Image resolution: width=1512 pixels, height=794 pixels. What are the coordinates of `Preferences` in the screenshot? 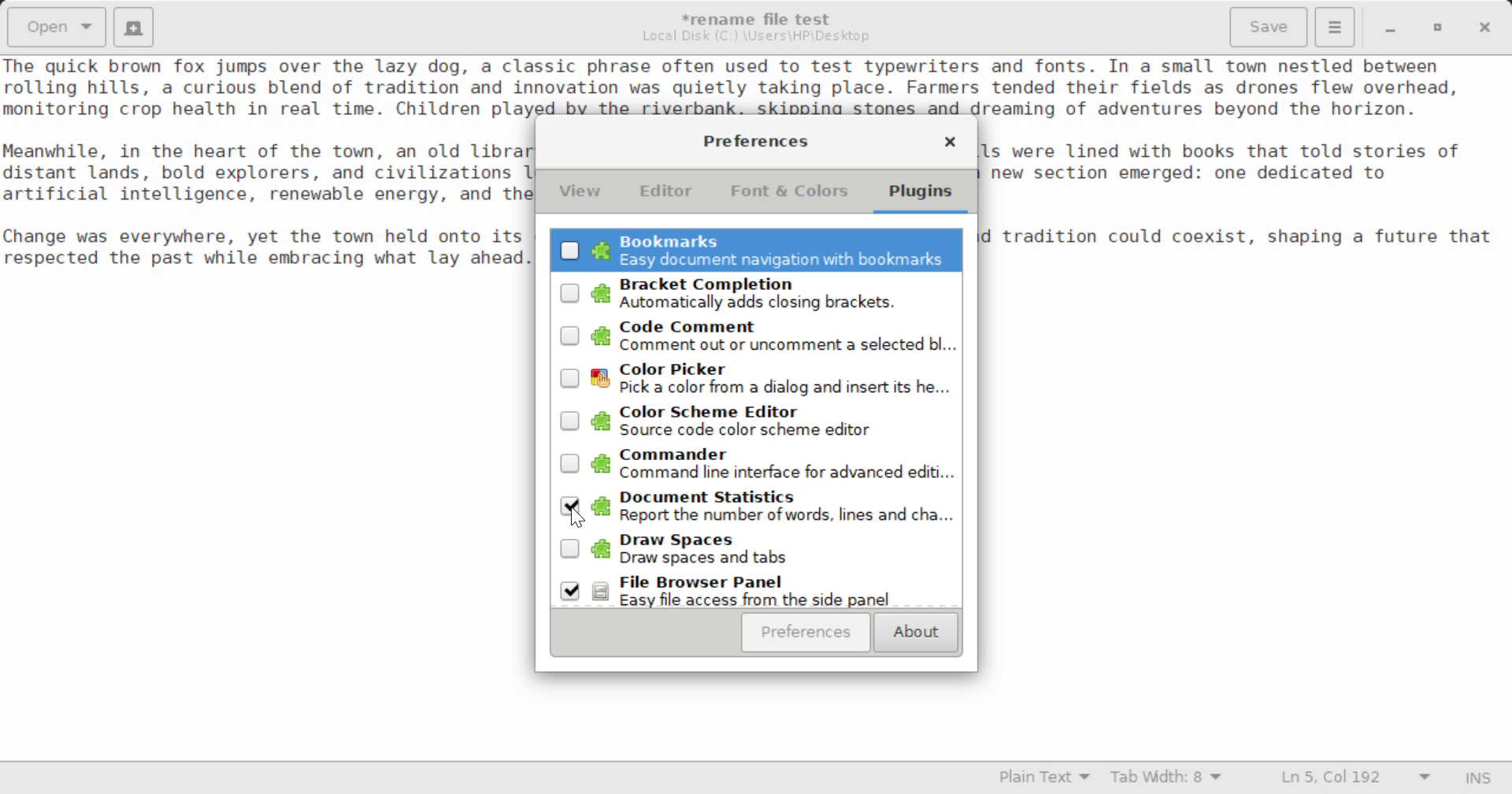 It's located at (806, 633).